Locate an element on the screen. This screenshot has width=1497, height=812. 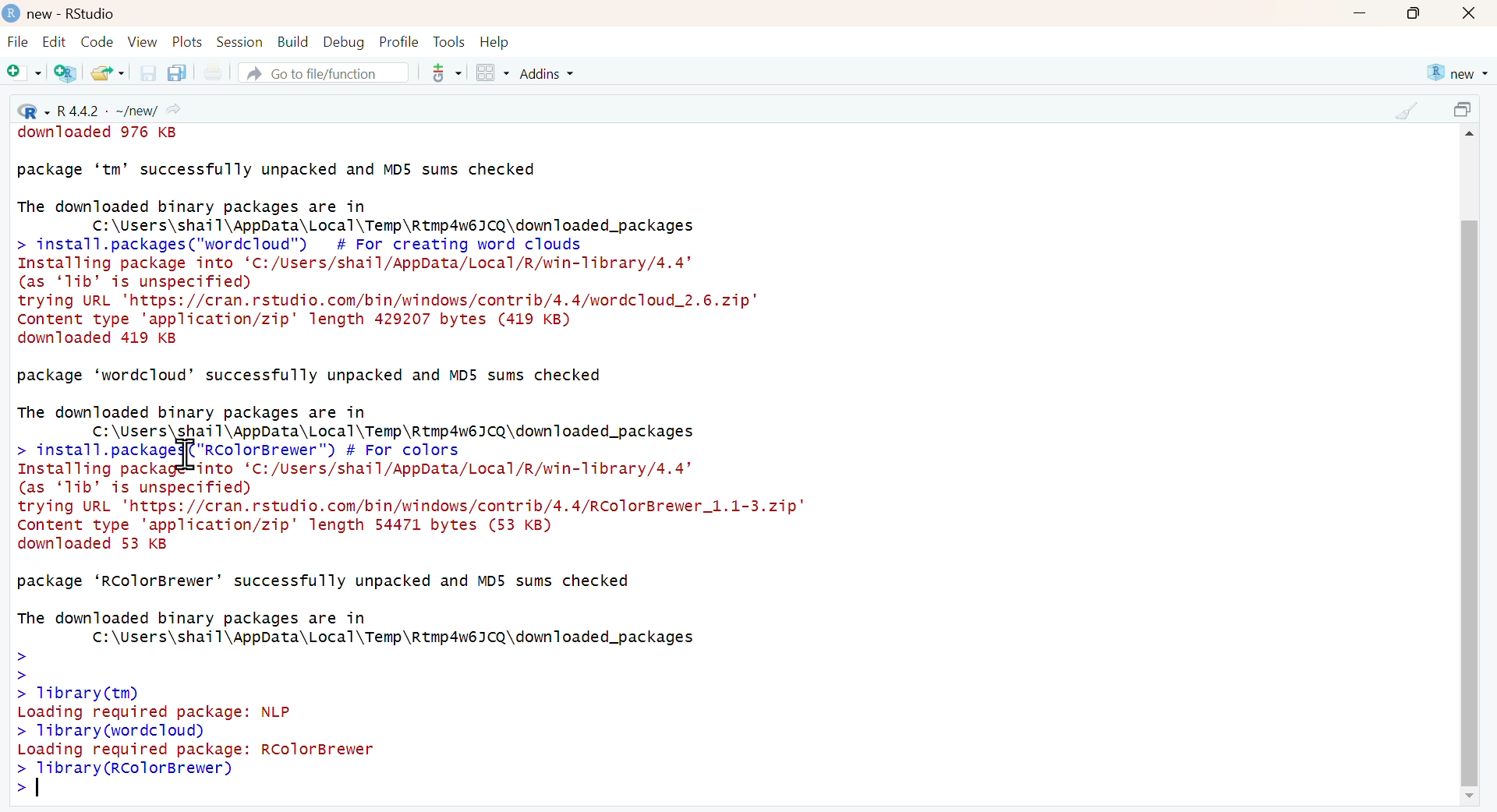
Create a project is located at coordinates (65, 73).